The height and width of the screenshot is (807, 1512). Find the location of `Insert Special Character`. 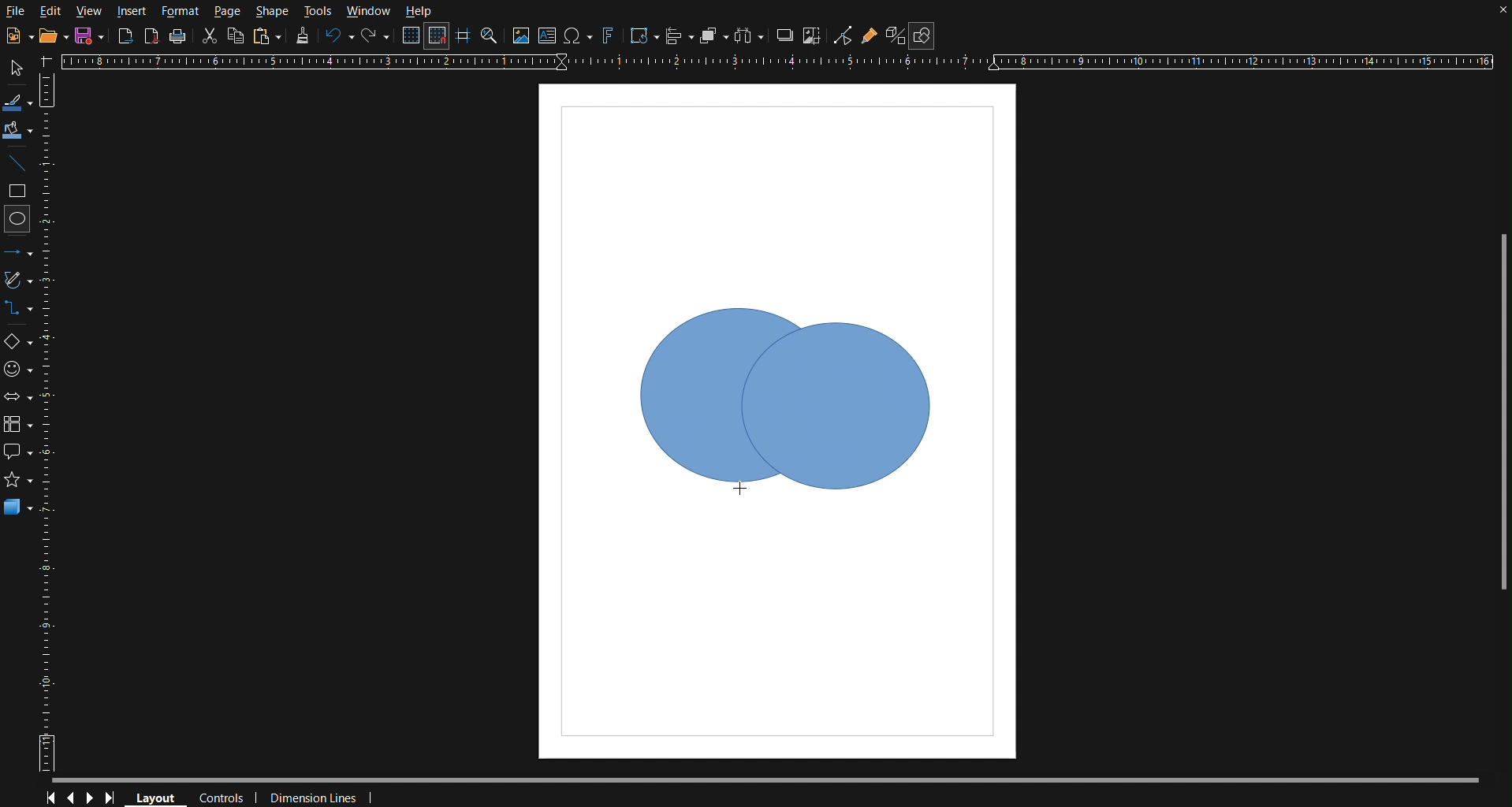

Insert Special Character is located at coordinates (579, 36).